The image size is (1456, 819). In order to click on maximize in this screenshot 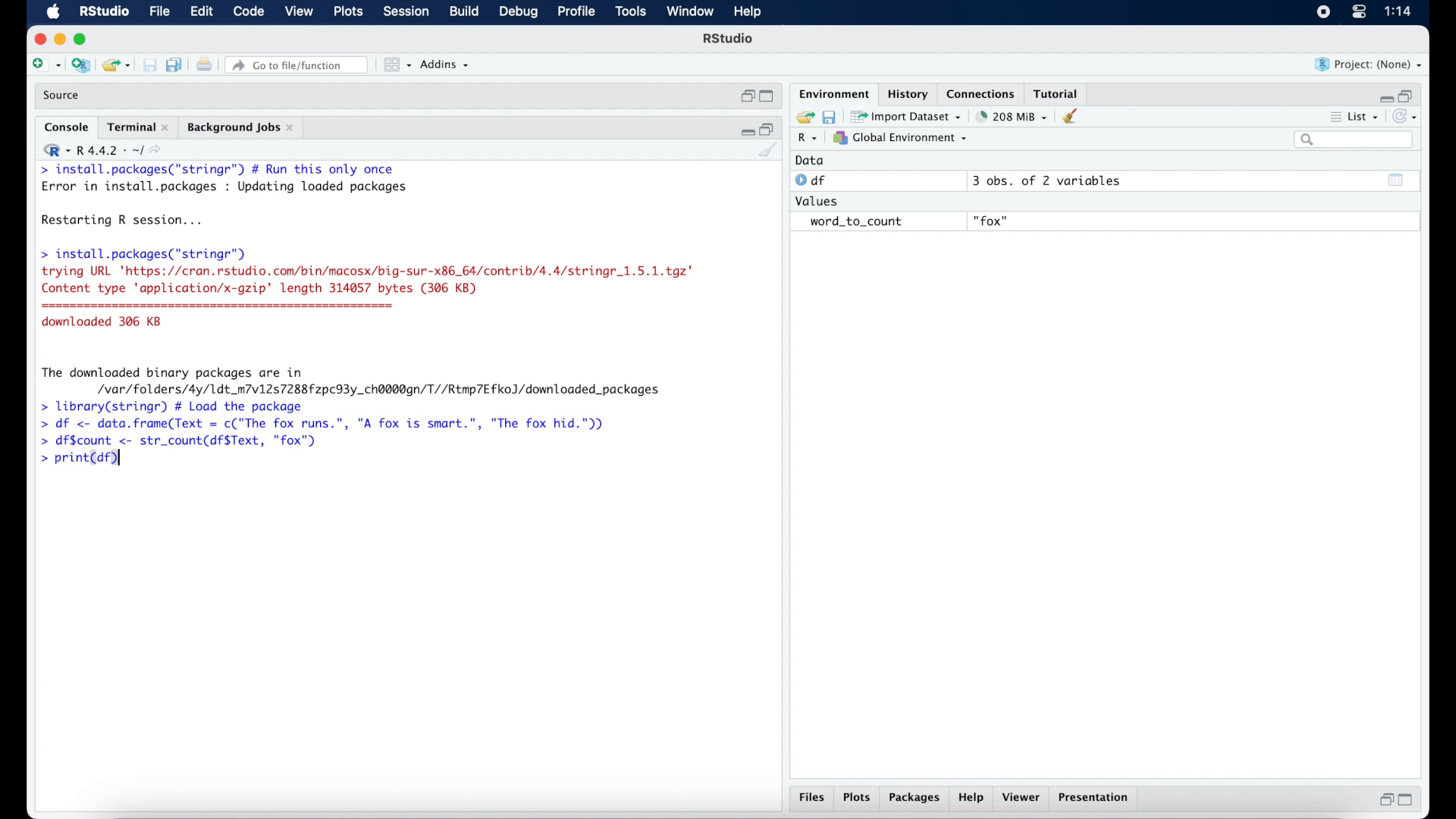, I will do `click(1409, 800)`.